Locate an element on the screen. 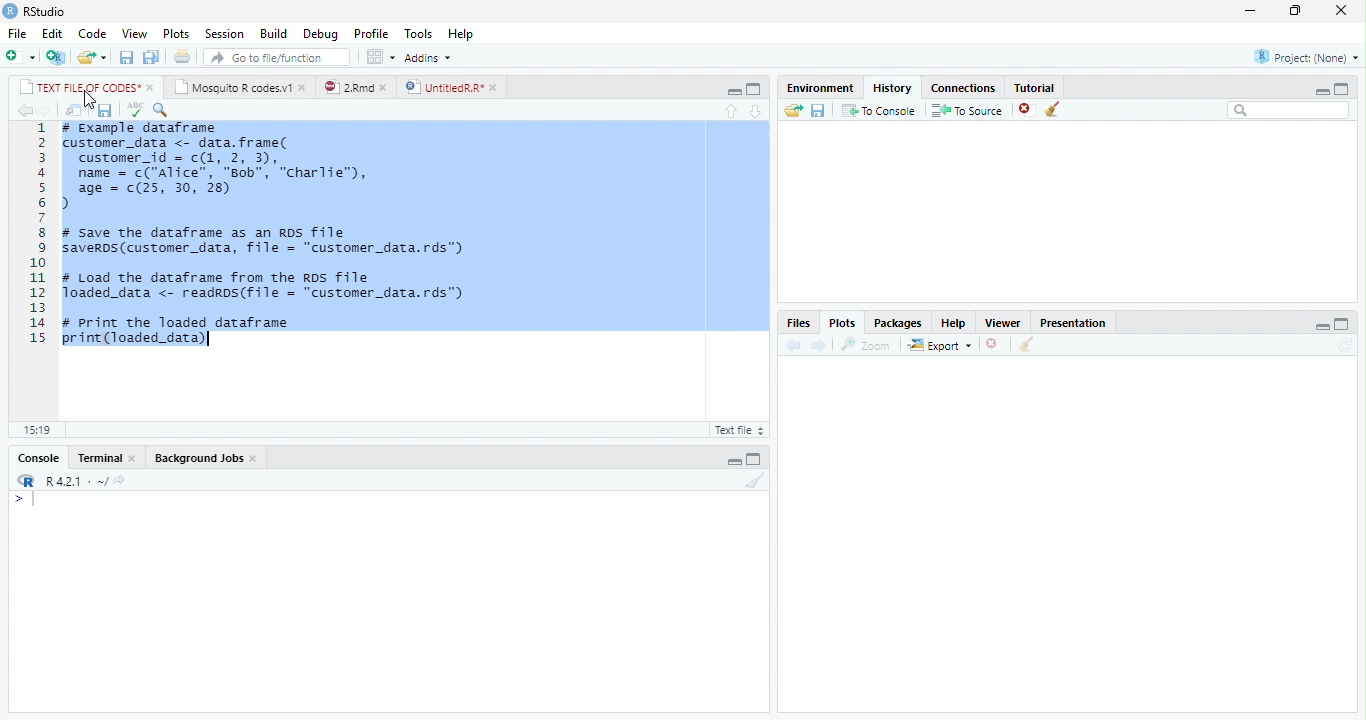 The height and width of the screenshot is (720, 1366). up is located at coordinates (732, 111).